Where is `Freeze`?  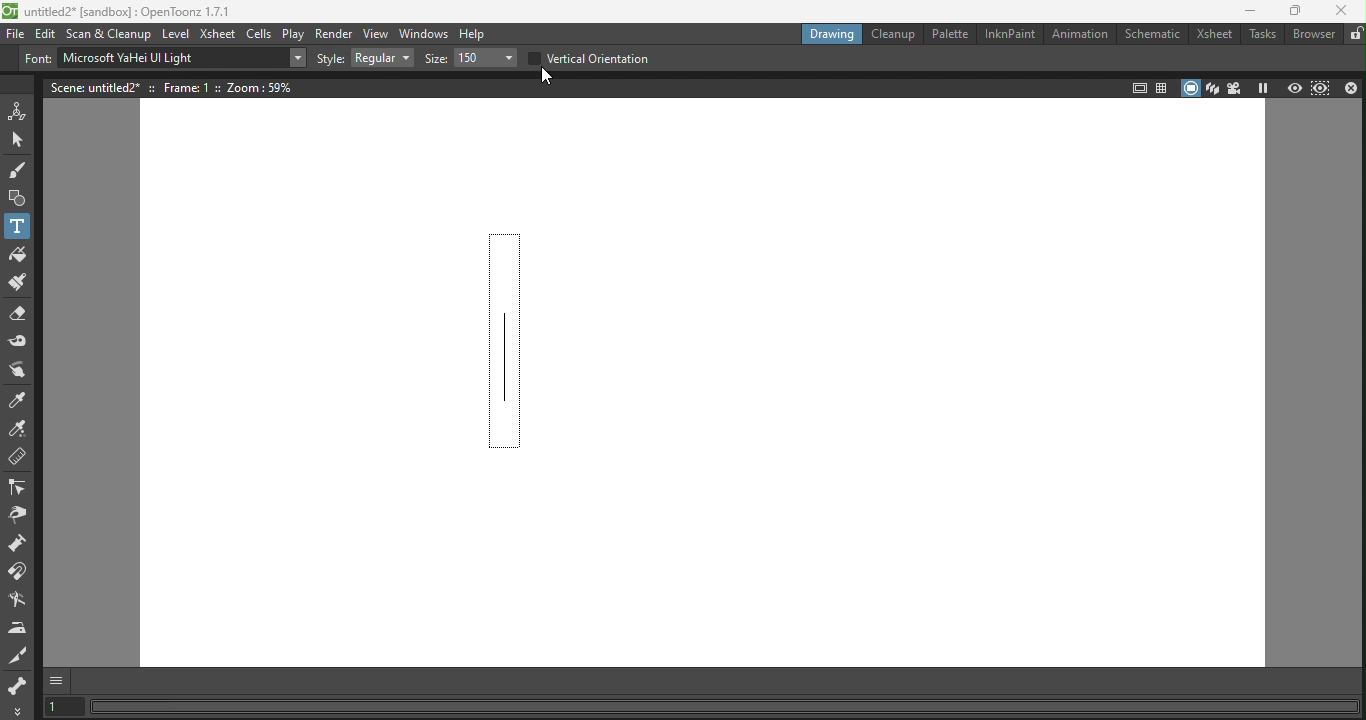 Freeze is located at coordinates (1261, 87).